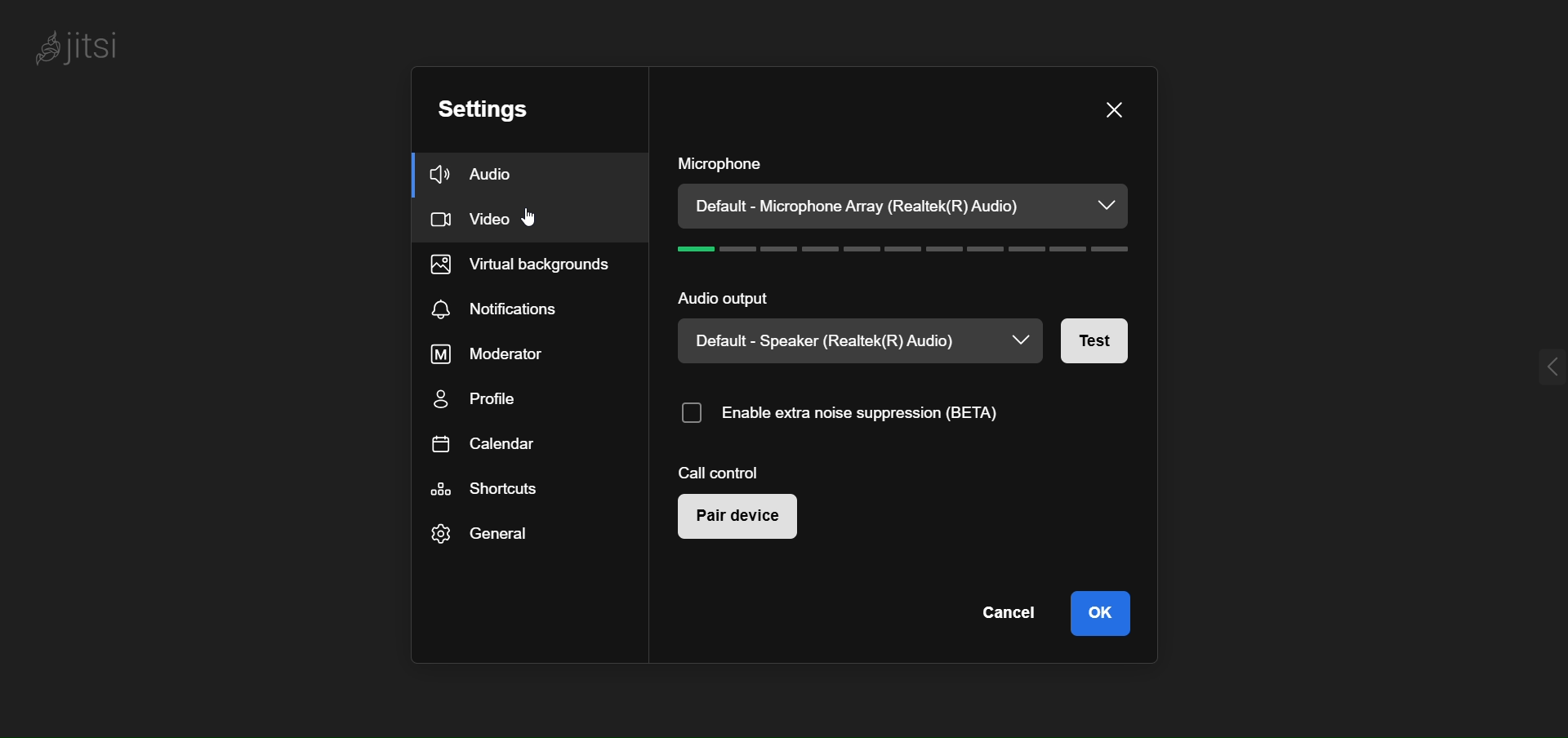 This screenshot has height=738, width=1568. What do you see at coordinates (851, 413) in the screenshot?
I see `enable noise suppression (BETA)` at bounding box center [851, 413].